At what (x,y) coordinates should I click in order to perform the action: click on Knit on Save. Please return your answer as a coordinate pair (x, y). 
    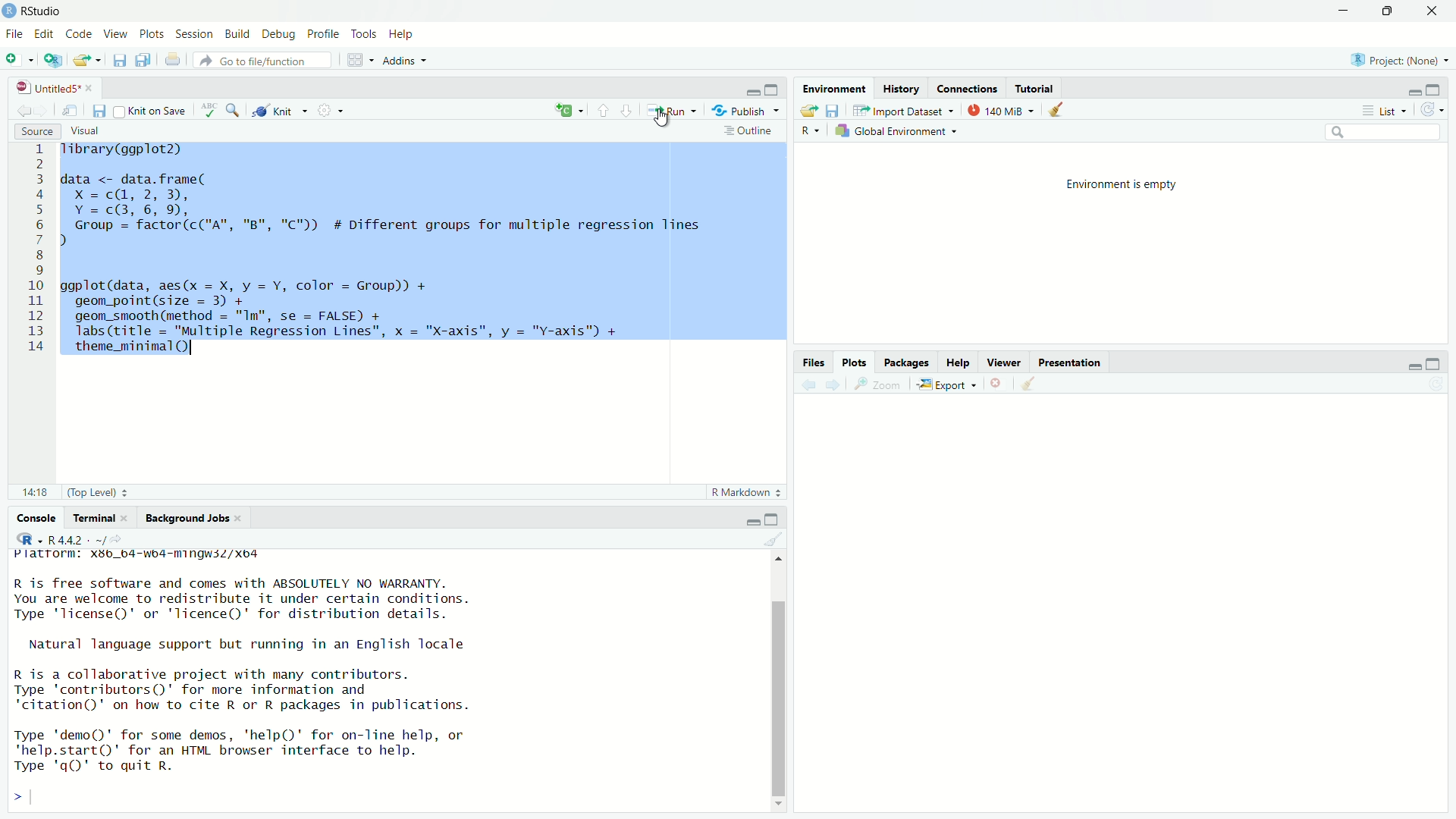
    Looking at the image, I should click on (152, 111).